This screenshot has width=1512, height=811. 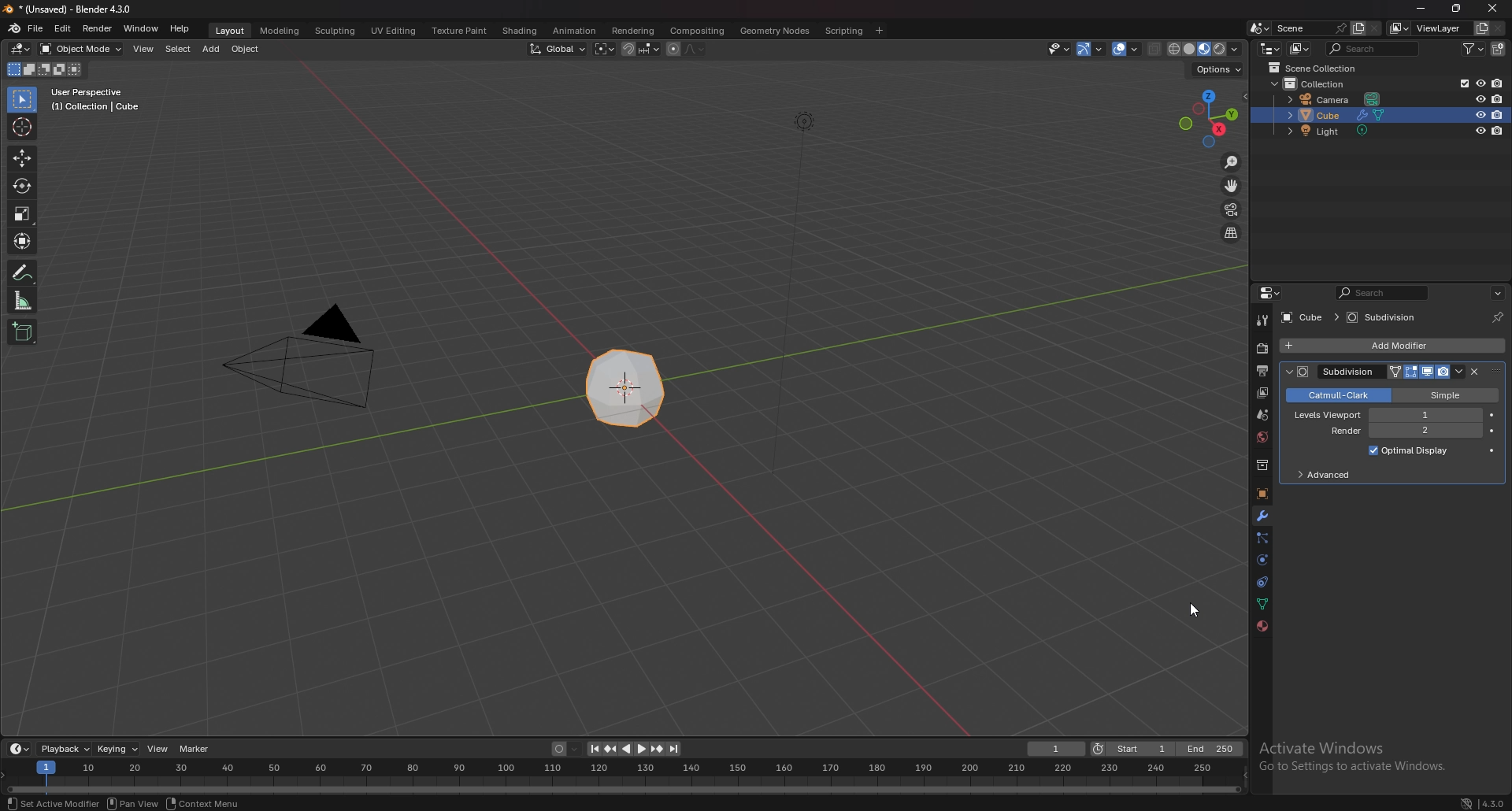 What do you see at coordinates (557, 49) in the screenshot?
I see `transform orientation` at bounding box center [557, 49].